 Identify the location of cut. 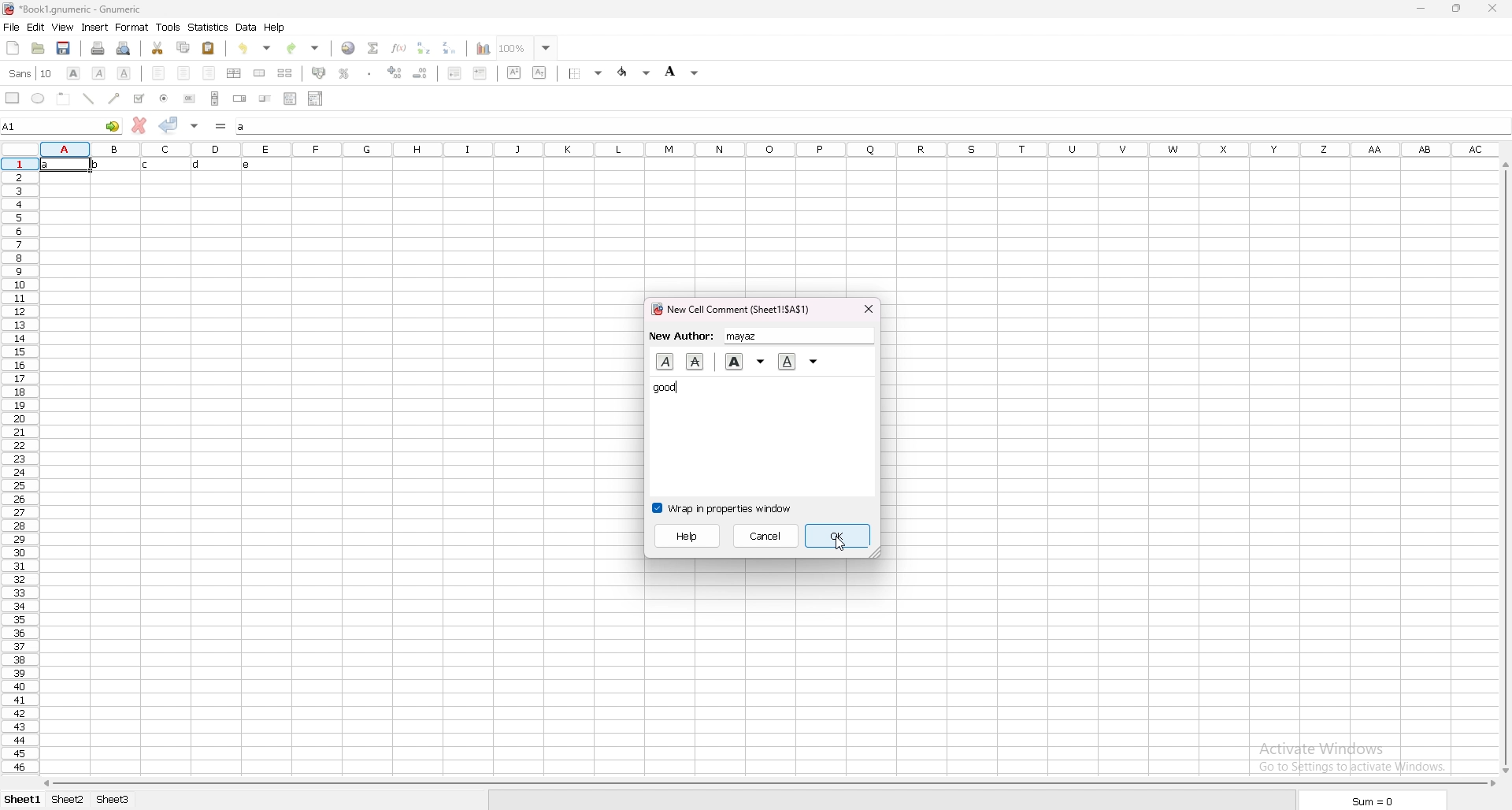
(157, 47).